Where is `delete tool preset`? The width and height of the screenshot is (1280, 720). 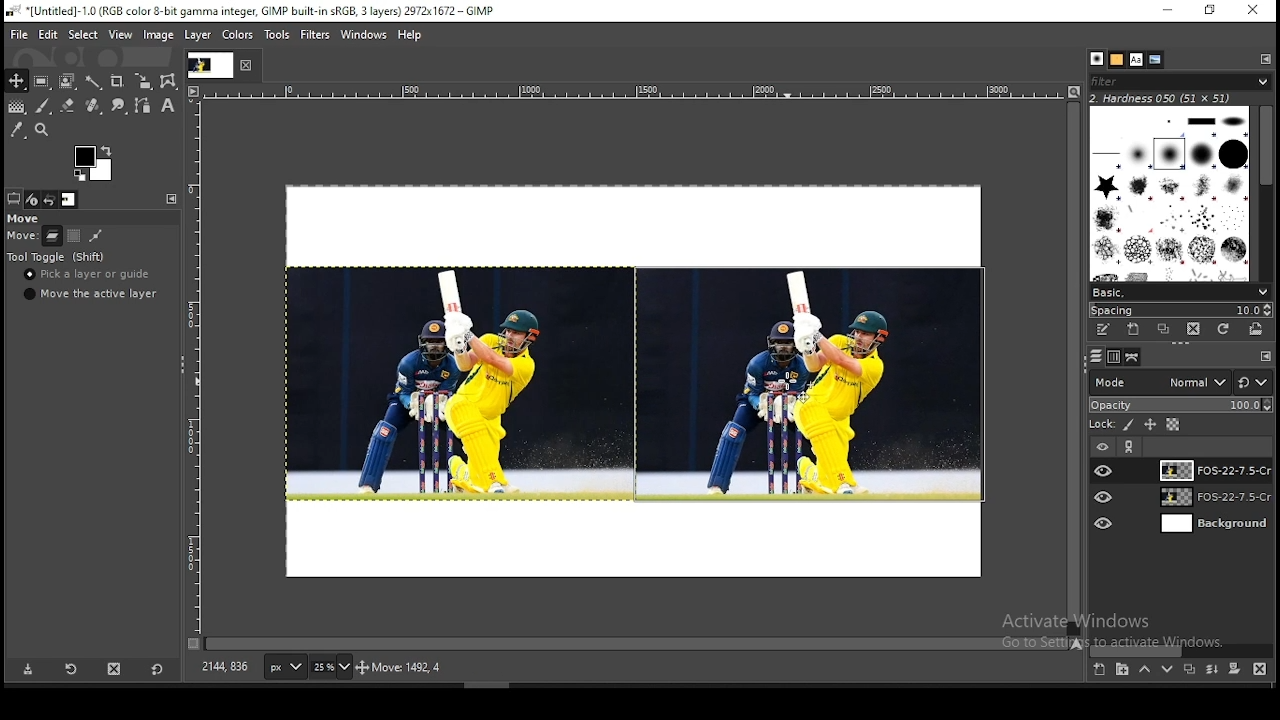
delete tool preset is located at coordinates (116, 668).